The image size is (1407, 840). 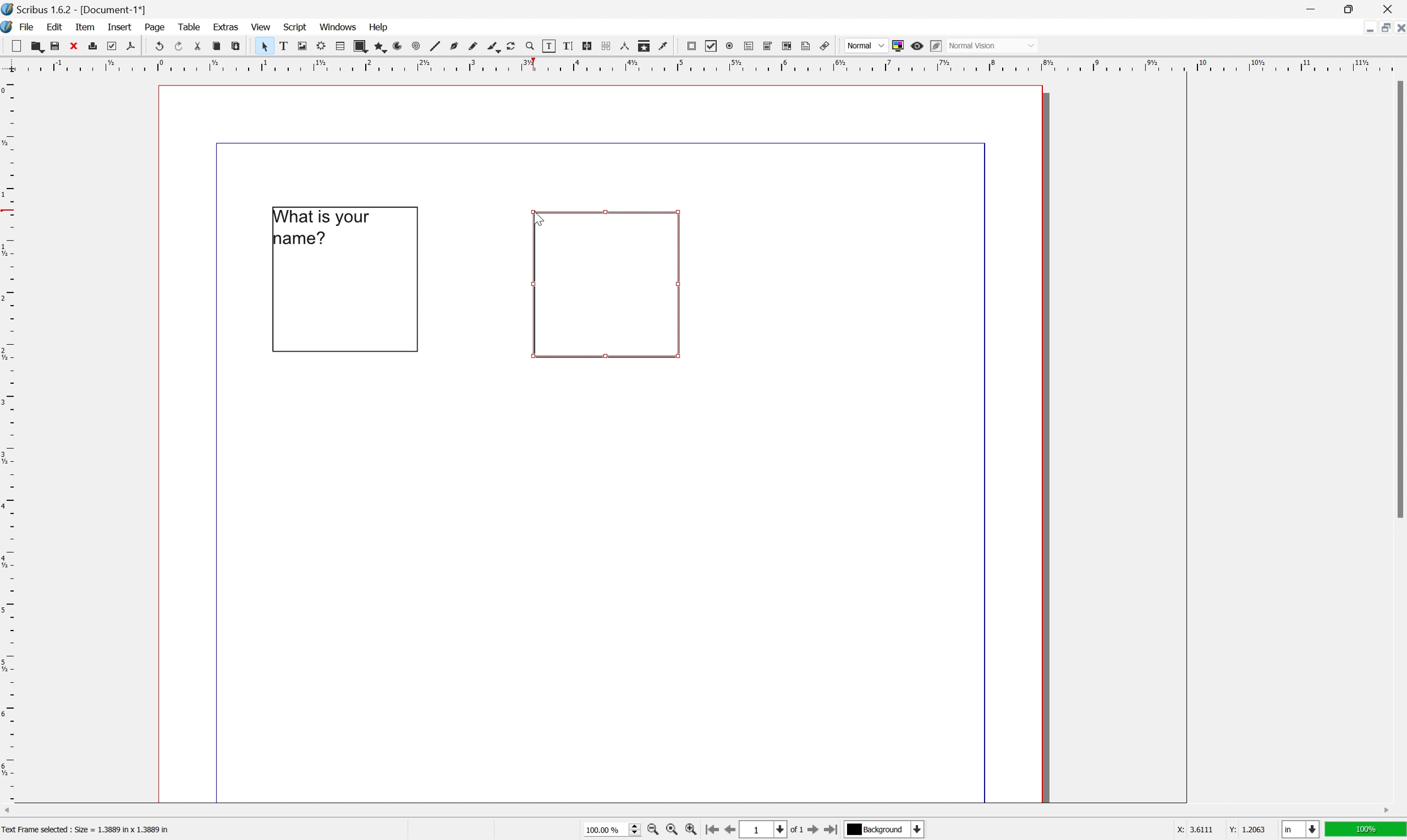 What do you see at coordinates (692, 831) in the screenshot?
I see `zoom in` at bounding box center [692, 831].